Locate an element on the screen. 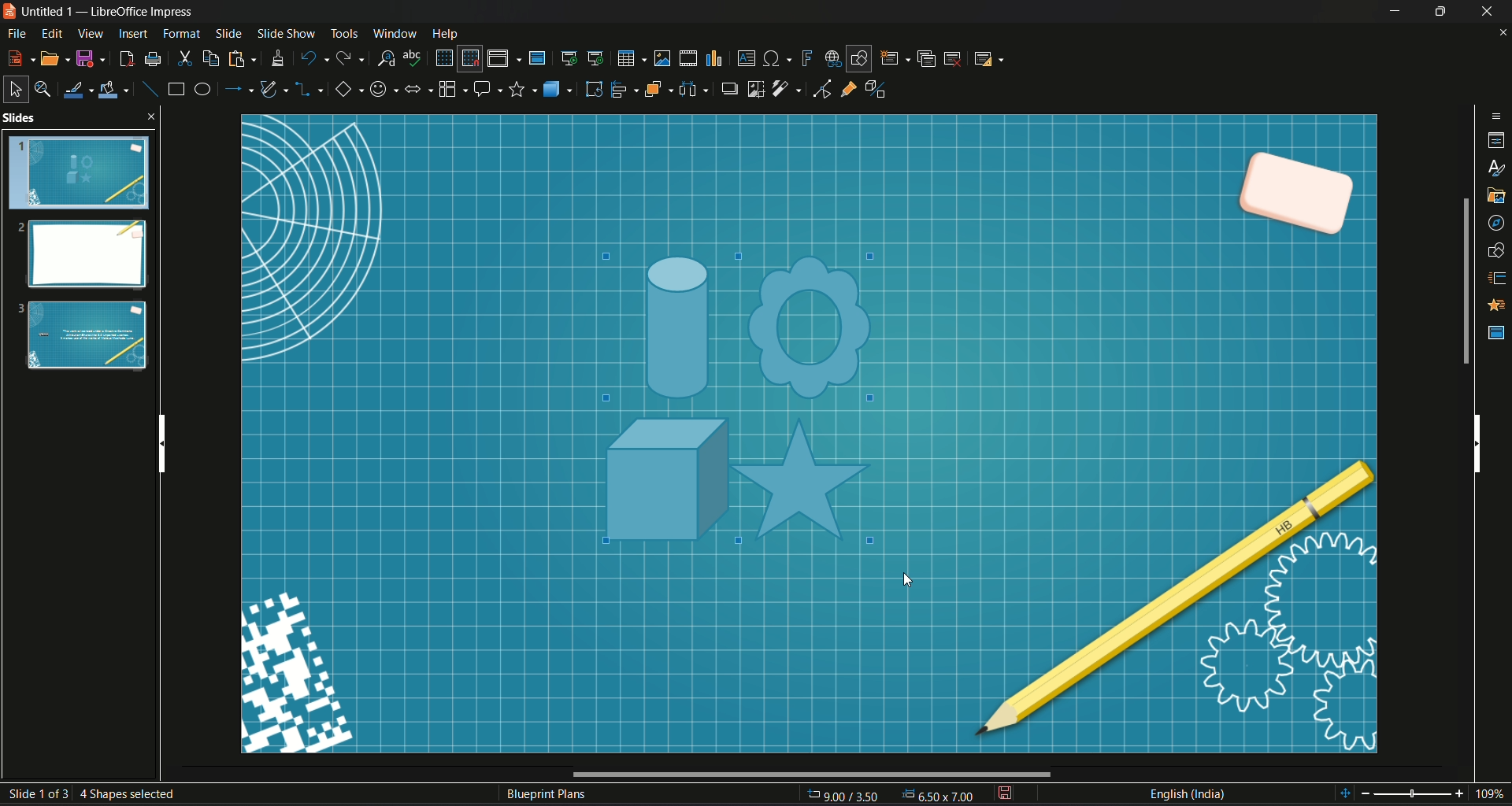  insert line is located at coordinates (149, 89).